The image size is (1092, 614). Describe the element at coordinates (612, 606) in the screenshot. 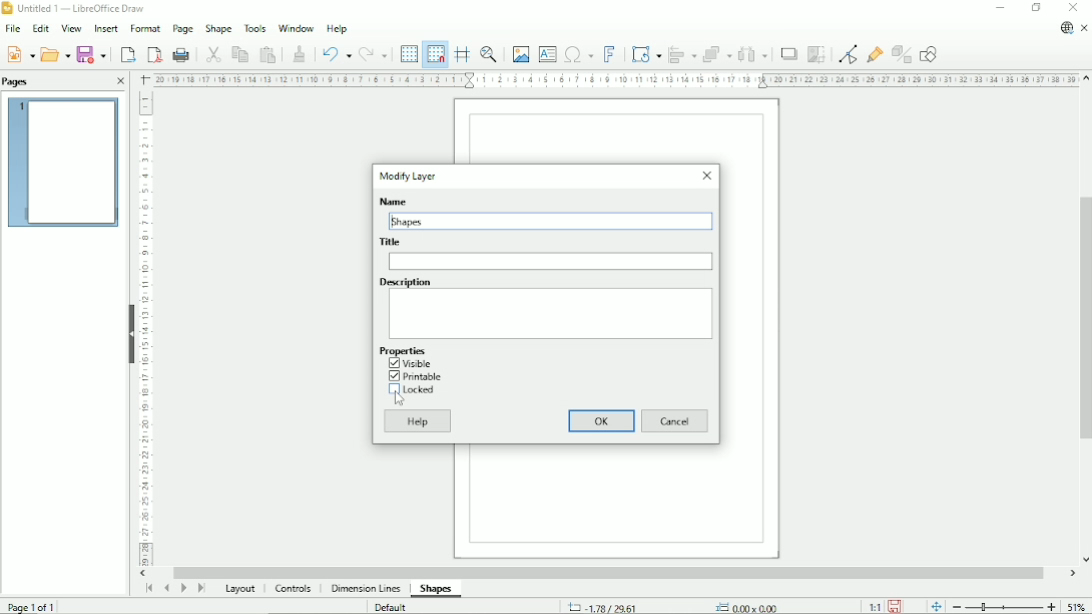

I see `-1.78/29.61` at that location.